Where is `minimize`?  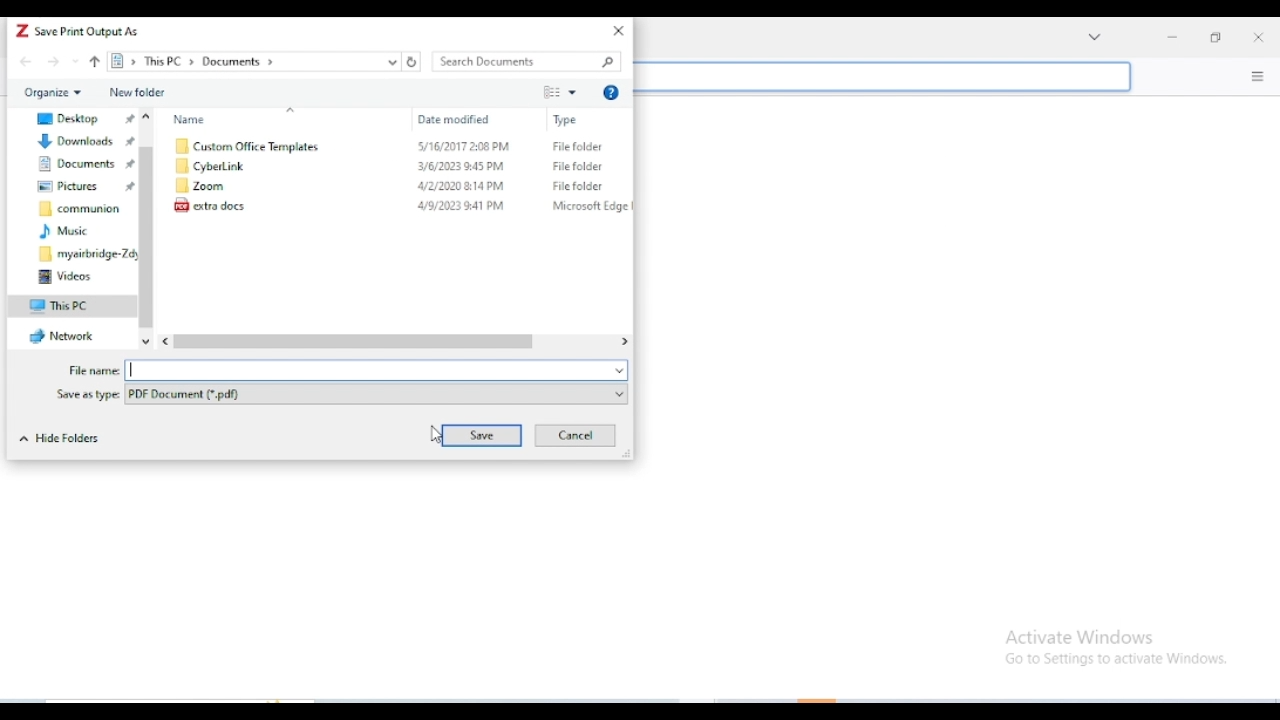 minimize is located at coordinates (1173, 35).